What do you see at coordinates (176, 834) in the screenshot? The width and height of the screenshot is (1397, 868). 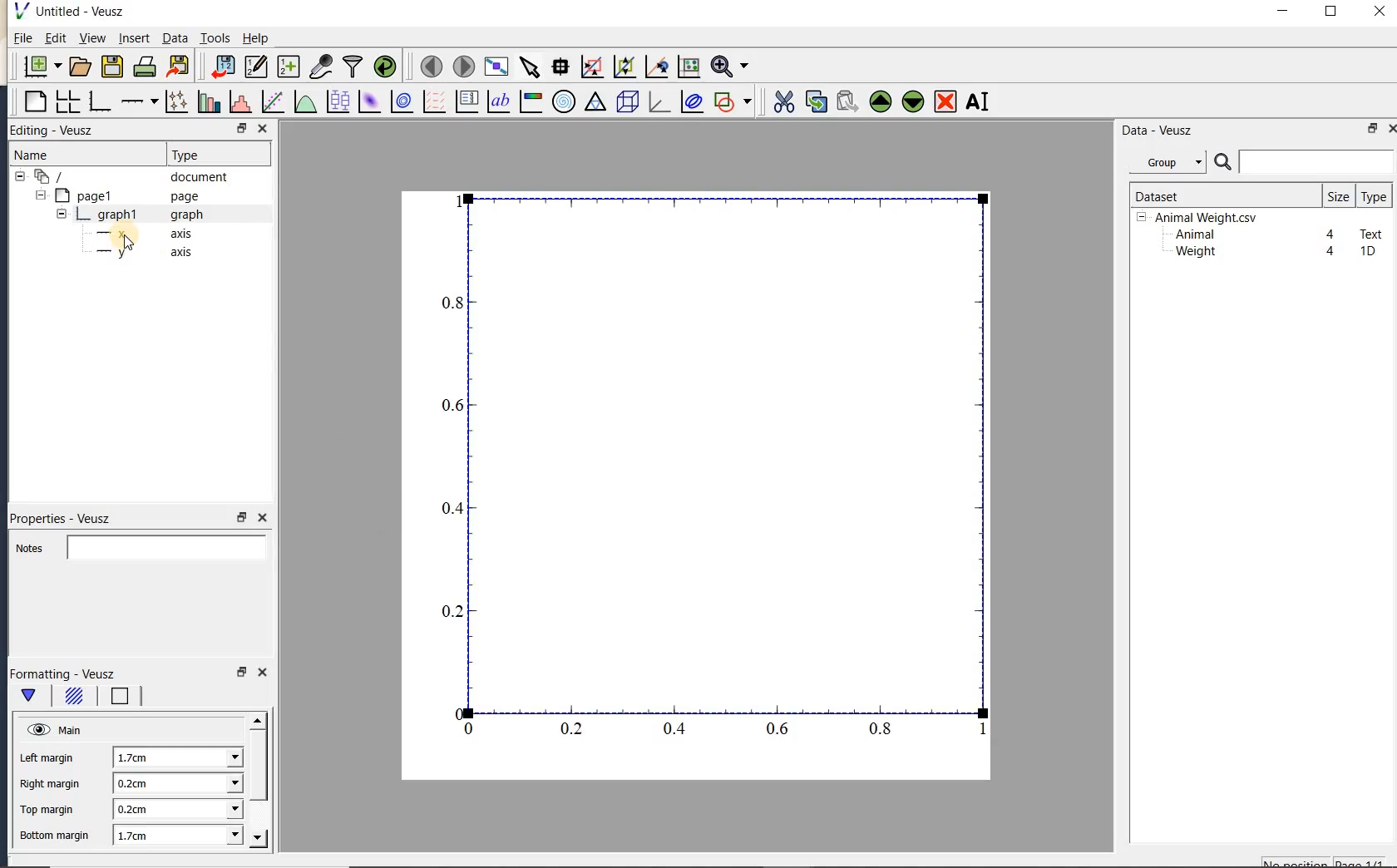 I see `1.7cm` at bounding box center [176, 834].